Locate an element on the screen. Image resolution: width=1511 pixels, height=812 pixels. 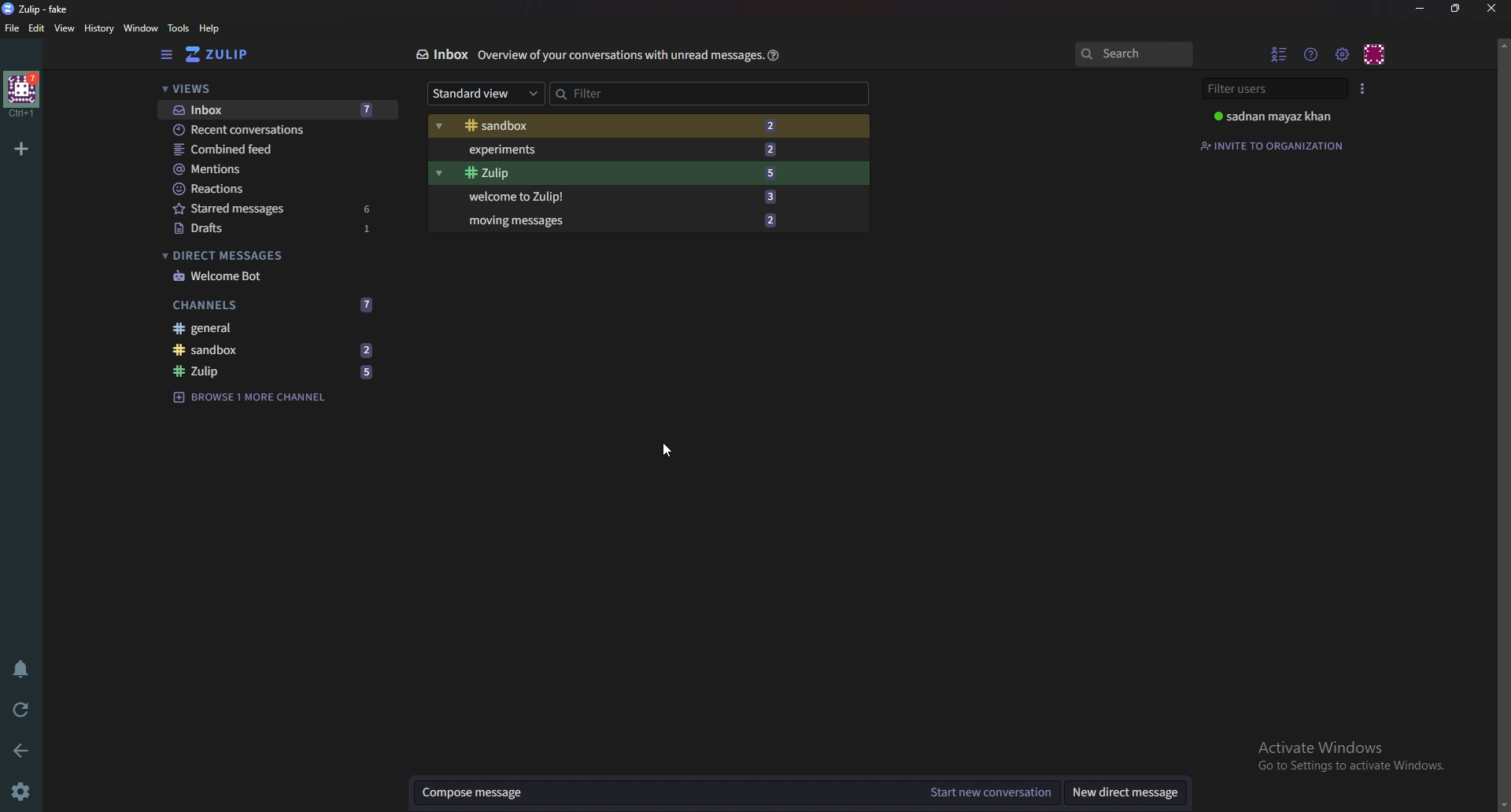
scroll bar is located at coordinates (1502, 423).